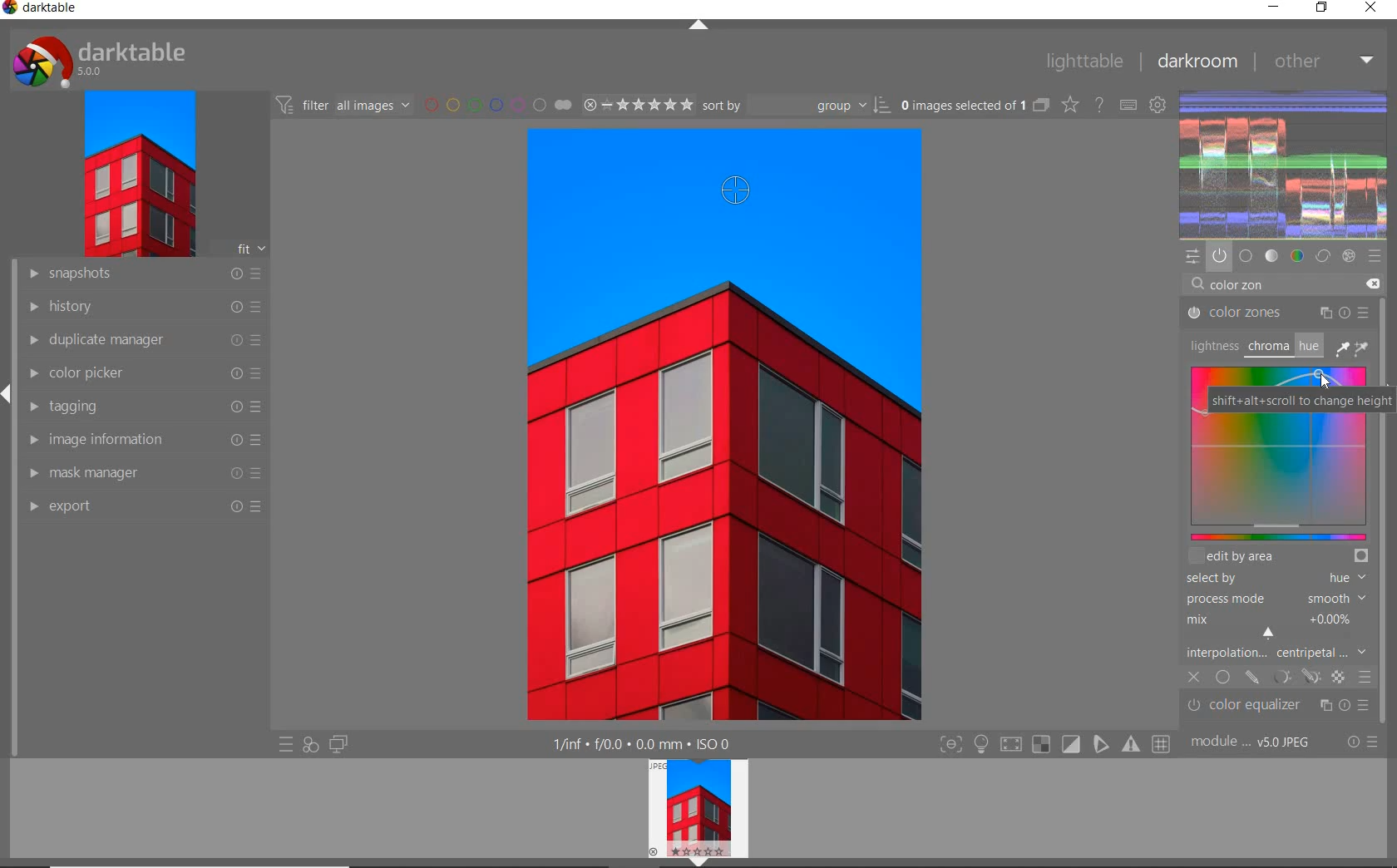 Image resolution: width=1397 pixels, height=868 pixels. Describe the element at coordinates (1129, 105) in the screenshot. I see `define keyboard shortcuts` at that location.